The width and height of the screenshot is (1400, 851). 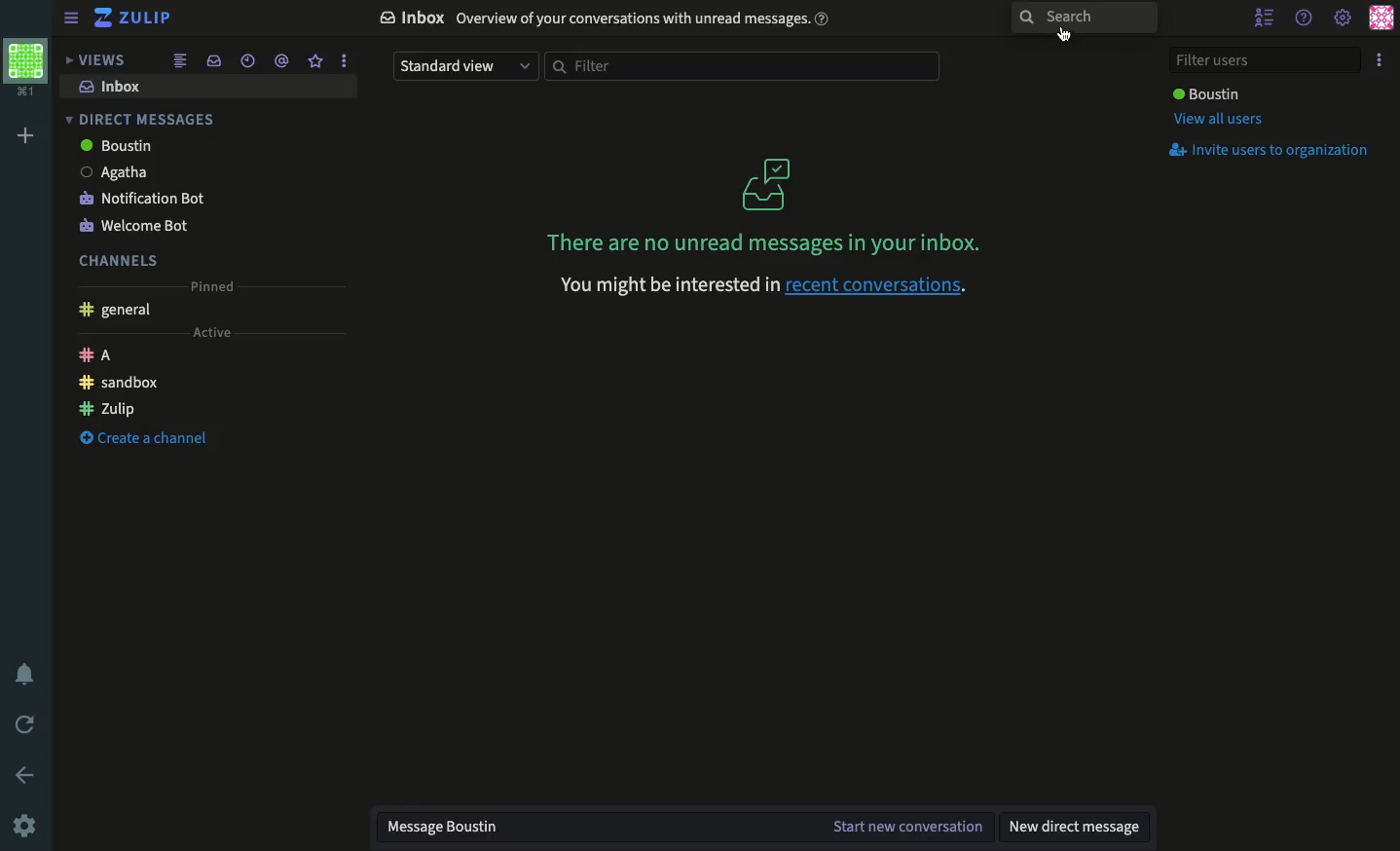 What do you see at coordinates (137, 228) in the screenshot?
I see `Welcome bot` at bounding box center [137, 228].